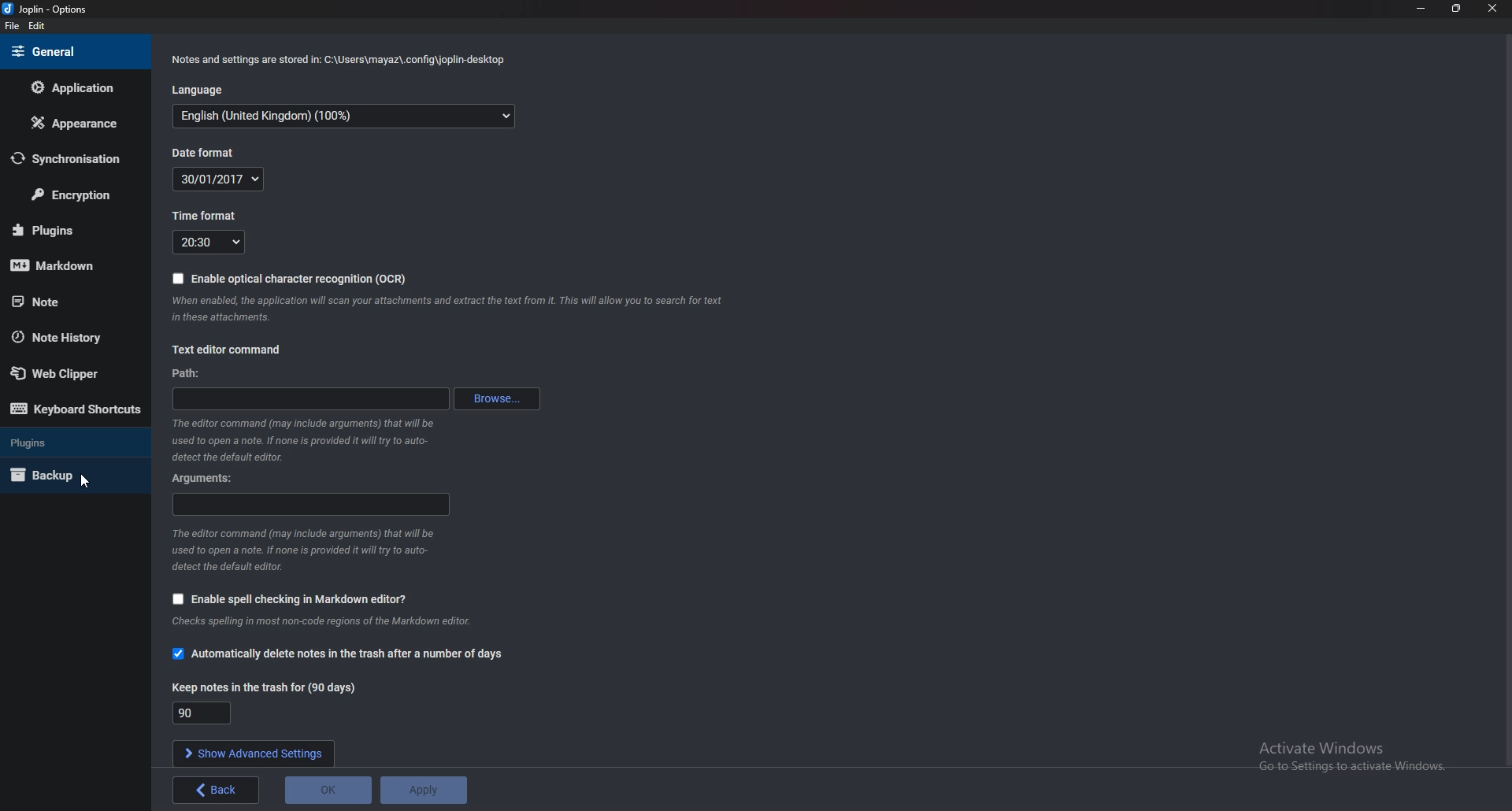  Describe the element at coordinates (291, 598) in the screenshot. I see `Enable spell checking` at that location.